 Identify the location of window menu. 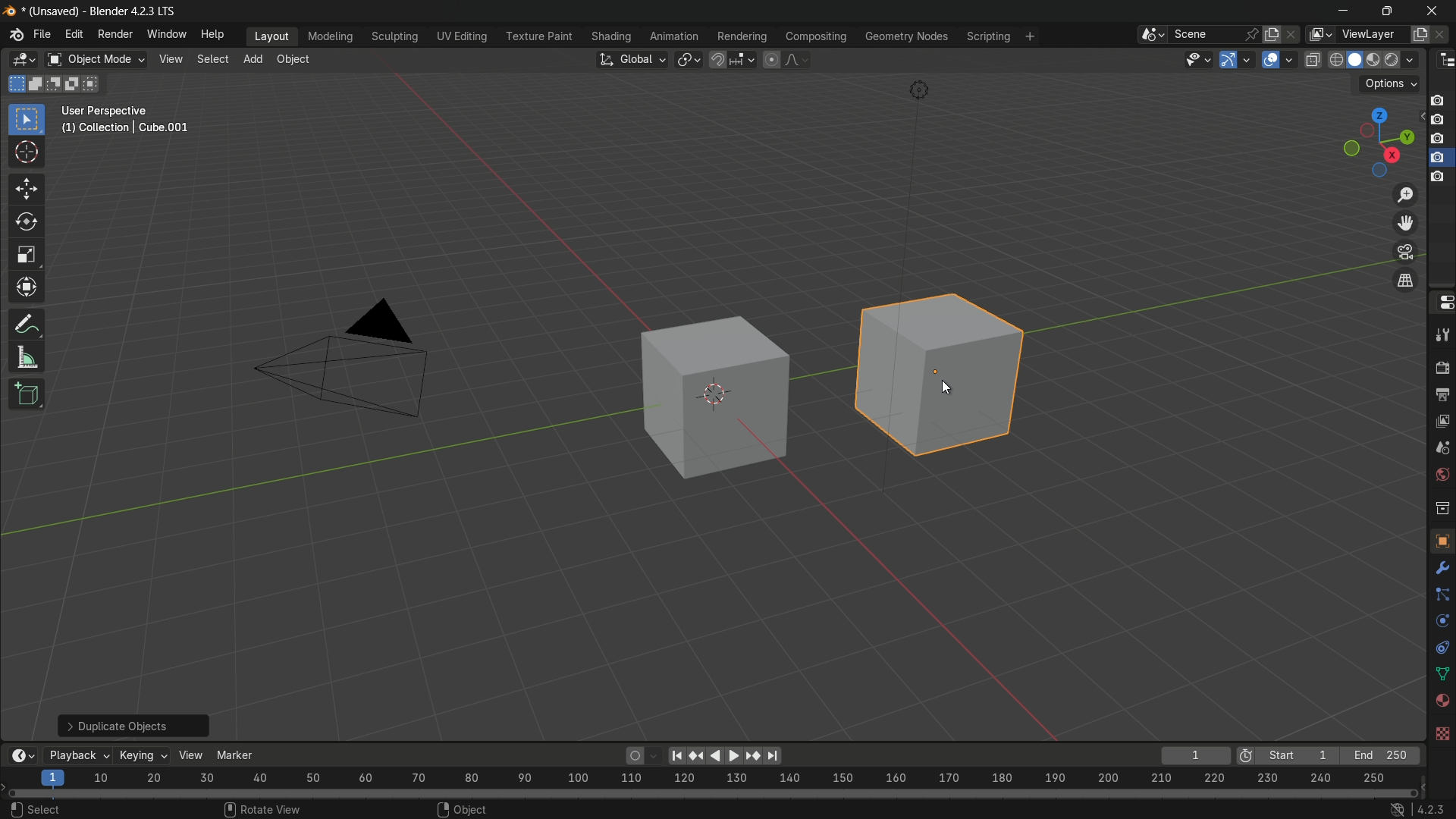
(165, 34).